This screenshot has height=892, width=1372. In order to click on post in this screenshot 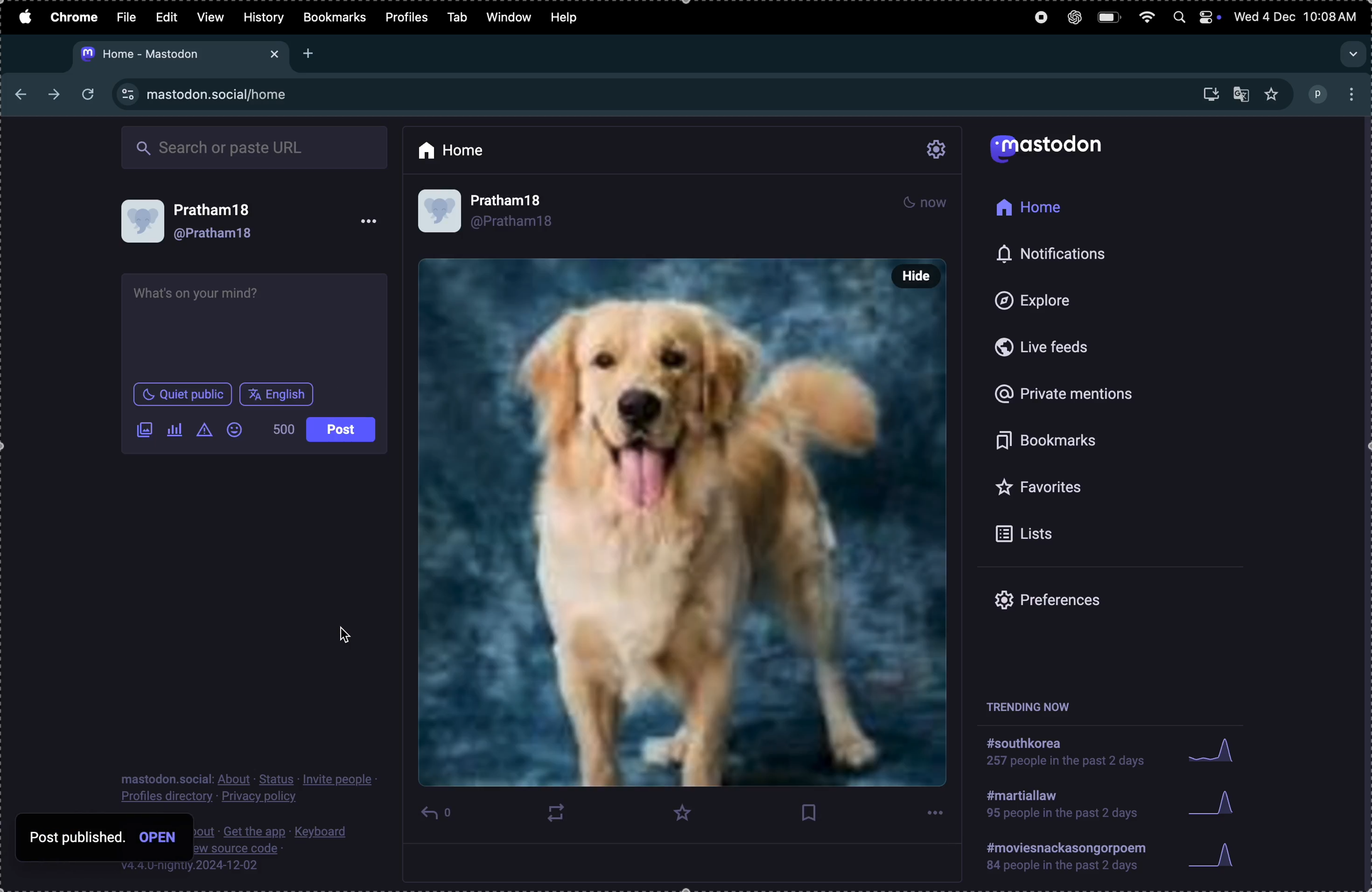, I will do `click(341, 429)`.